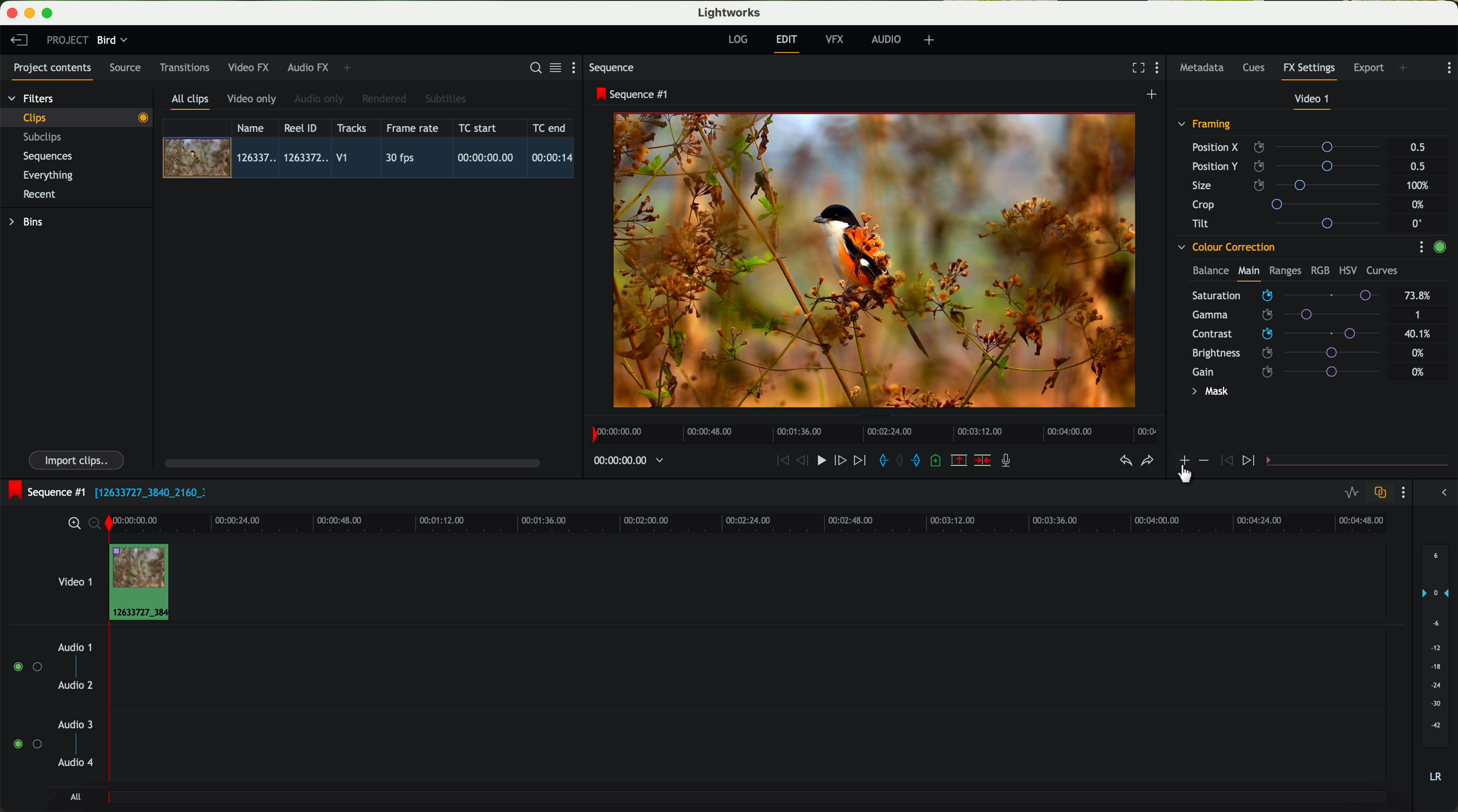 This screenshot has width=1458, height=812. I want to click on delete/cut, so click(983, 461).